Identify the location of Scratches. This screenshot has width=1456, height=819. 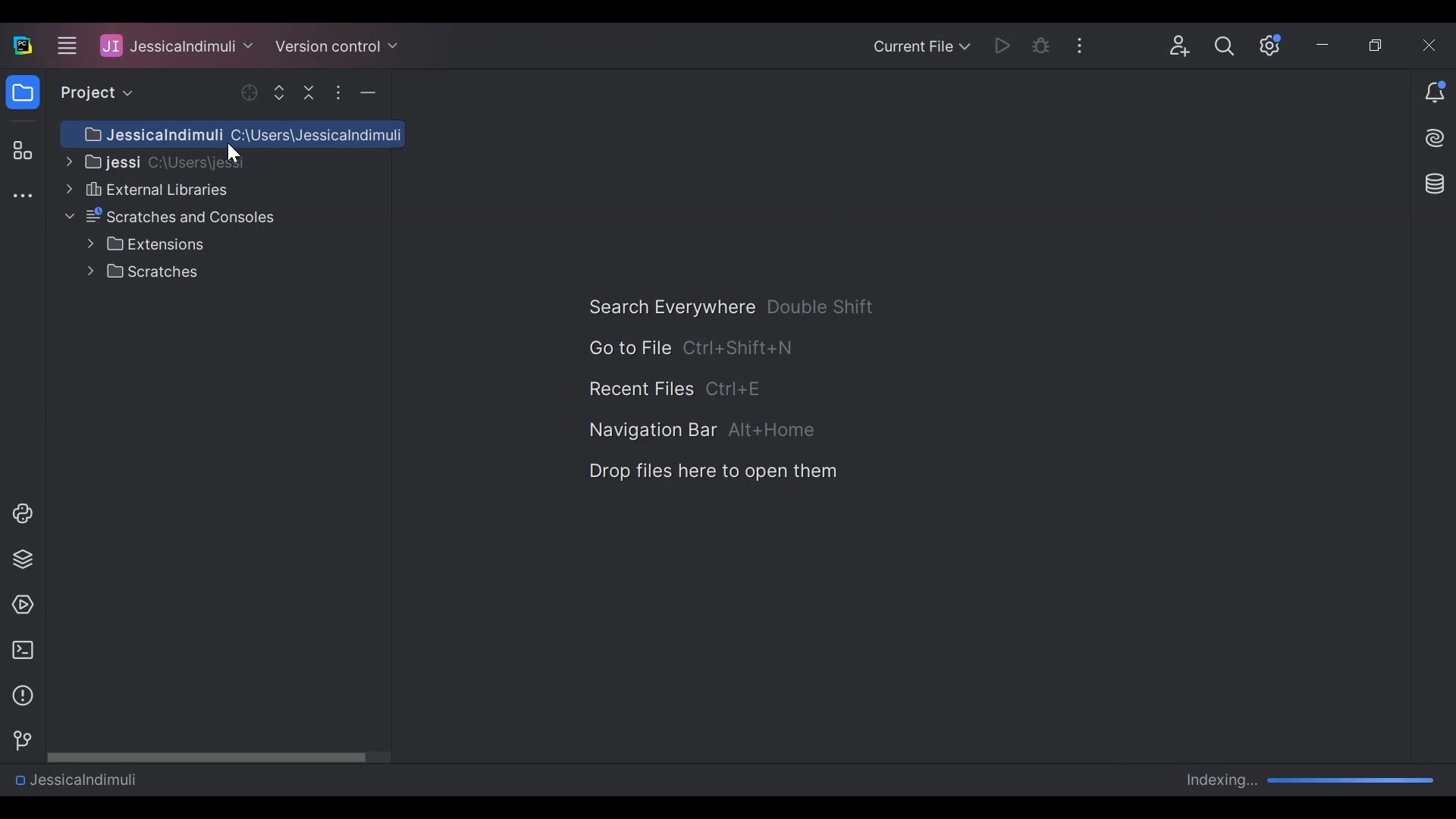
(146, 271).